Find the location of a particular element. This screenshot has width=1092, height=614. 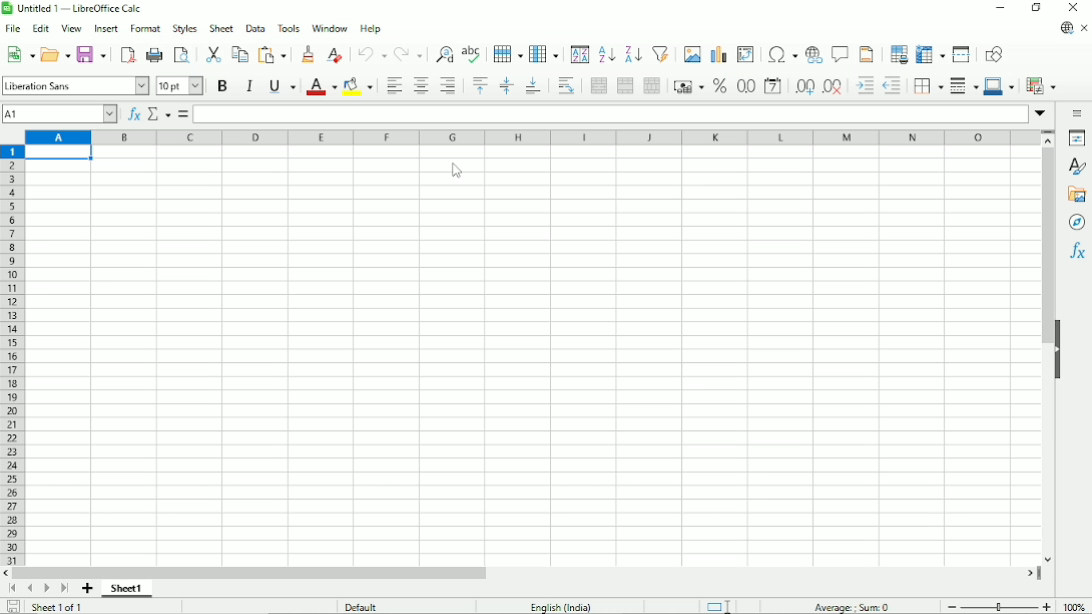

Headers and footers is located at coordinates (866, 53).